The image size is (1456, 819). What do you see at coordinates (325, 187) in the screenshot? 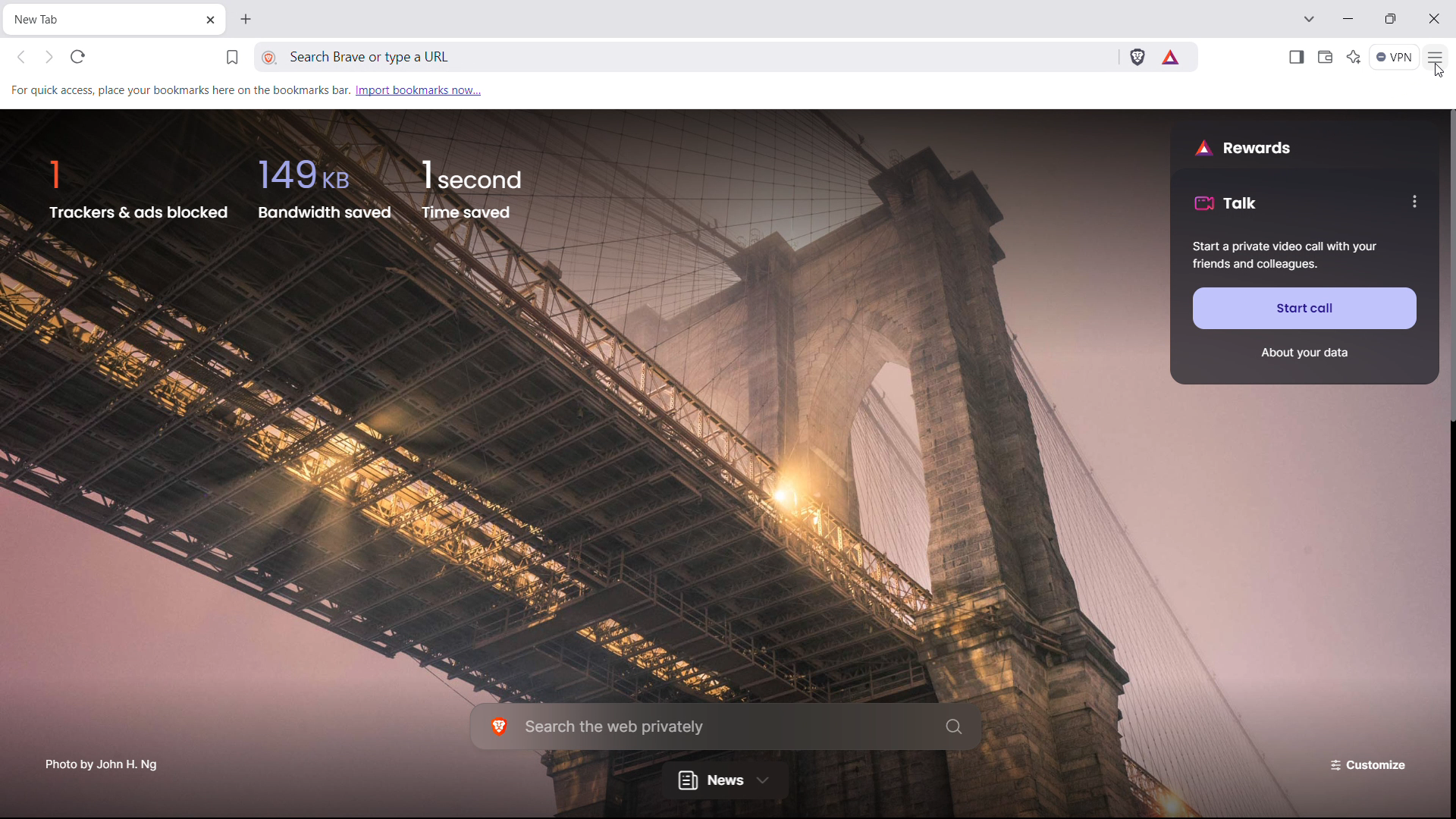
I see `149KB bandwidth saved` at bounding box center [325, 187].